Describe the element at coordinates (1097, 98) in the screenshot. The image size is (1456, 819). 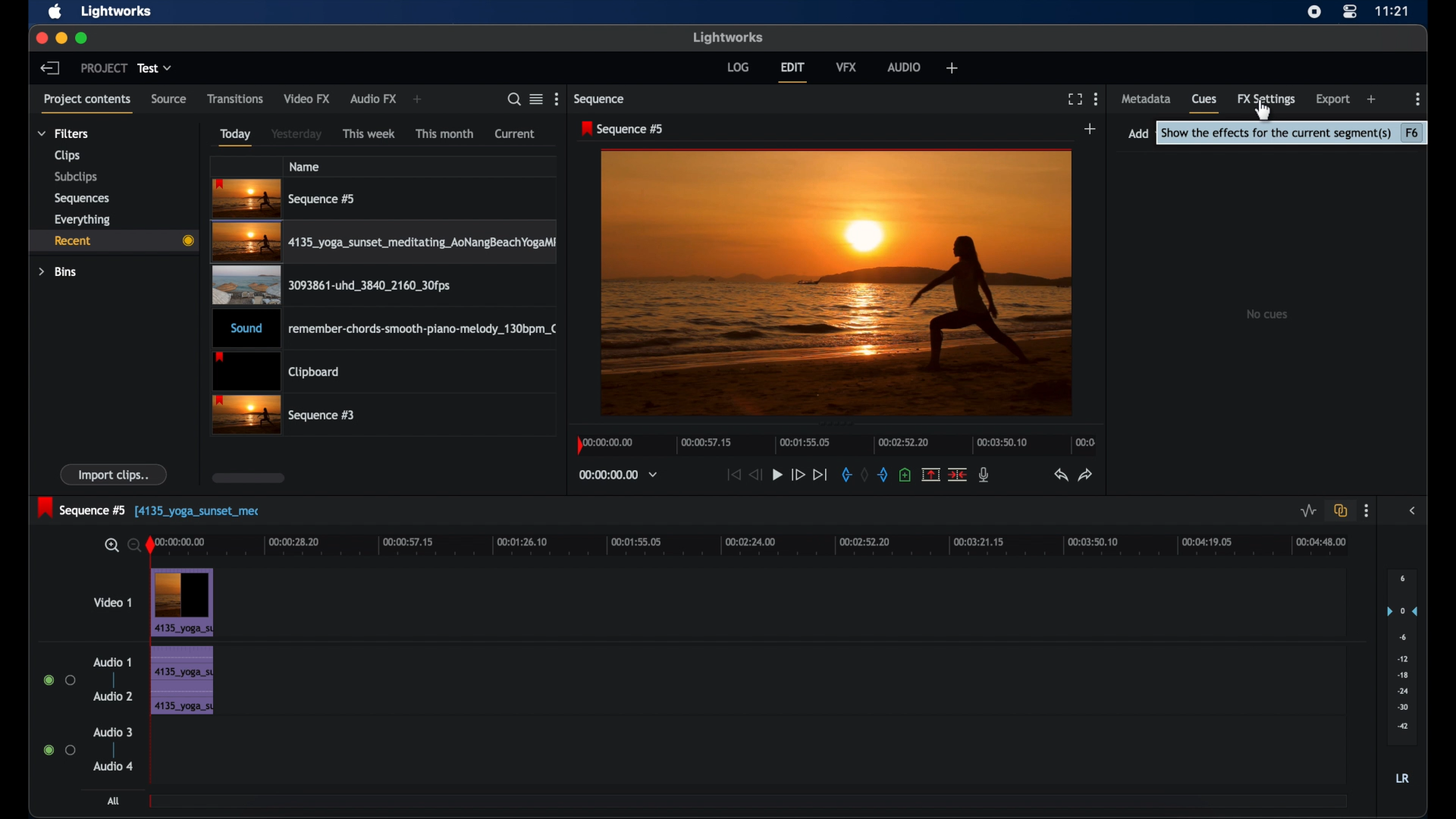
I see `moreoptions` at that location.